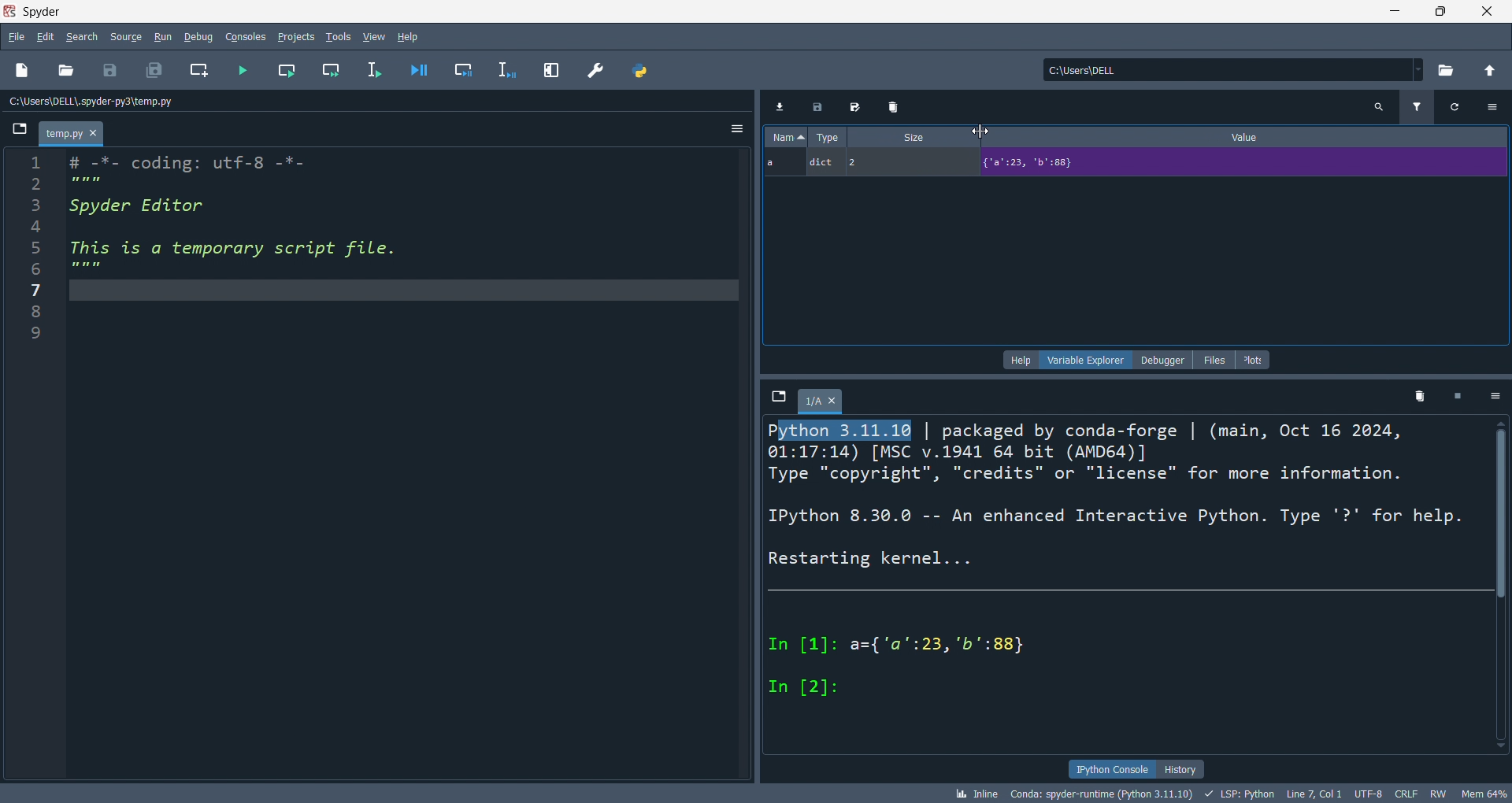  Describe the element at coordinates (466, 68) in the screenshot. I see `debug cell` at that location.